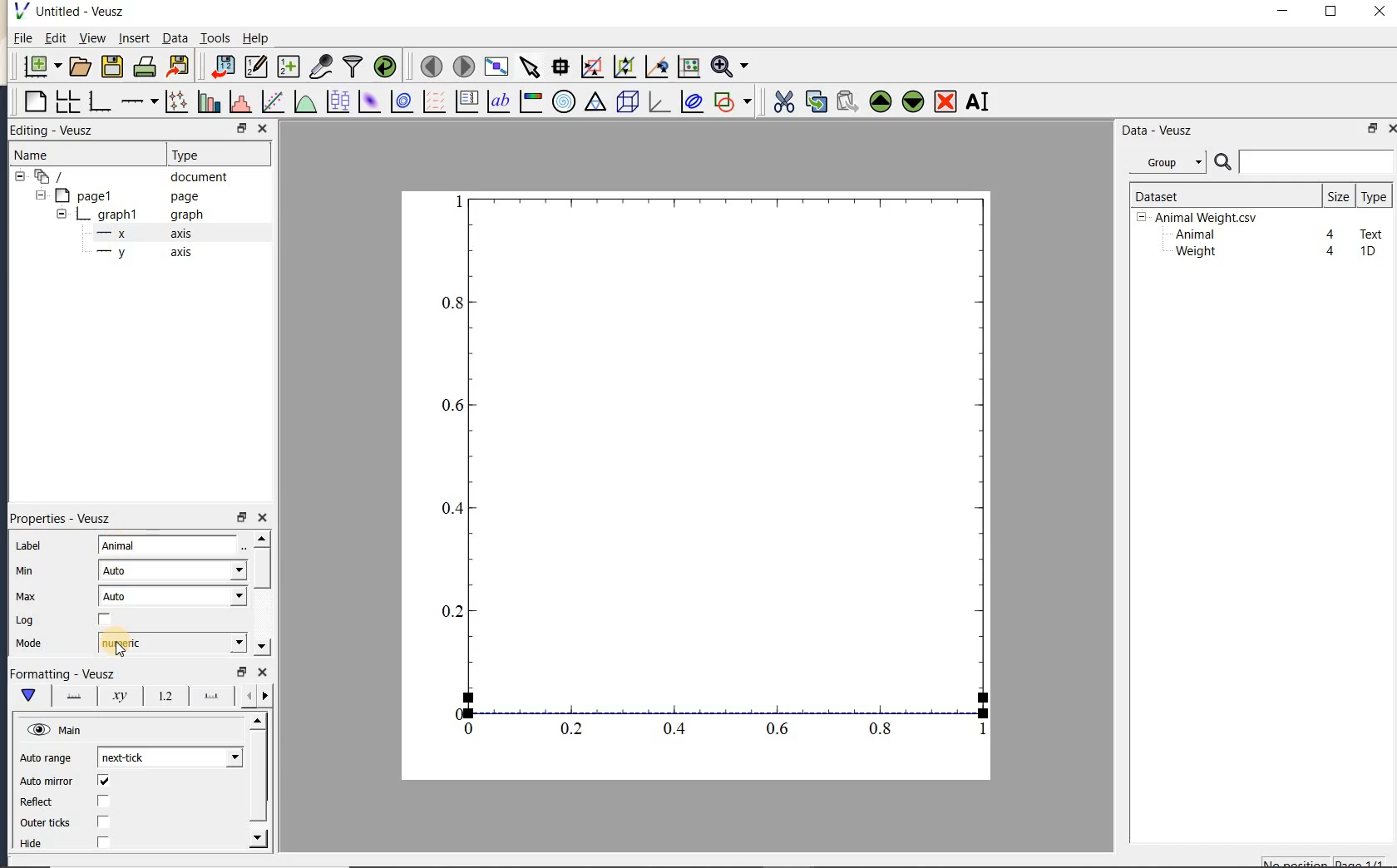 The image size is (1397, 868). Describe the element at coordinates (67, 101) in the screenshot. I see `arrange graphs in a grid` at that location.